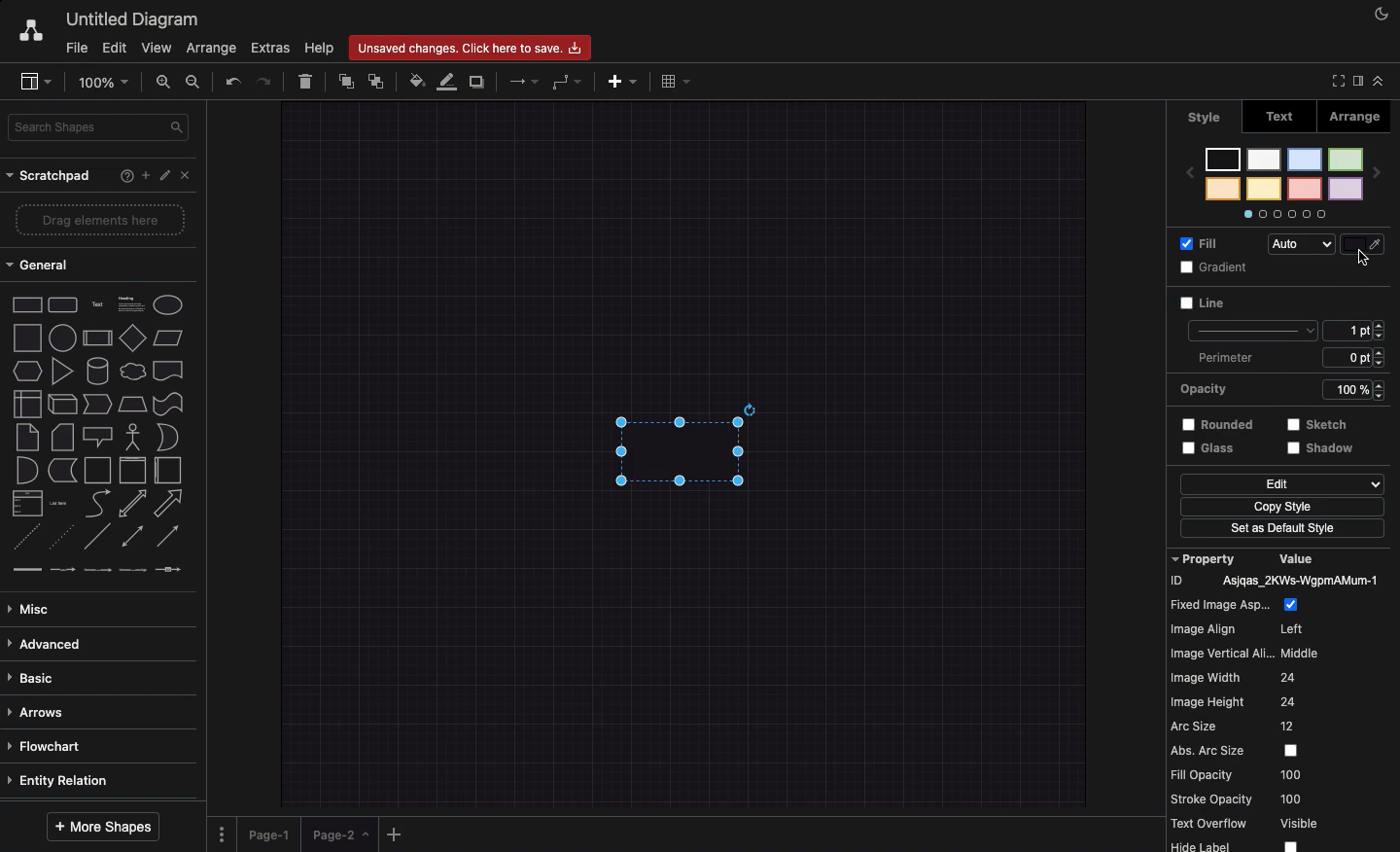  Describe the element at coordinates (1204, 242) in the screenshot. I see `Fill` at that location.